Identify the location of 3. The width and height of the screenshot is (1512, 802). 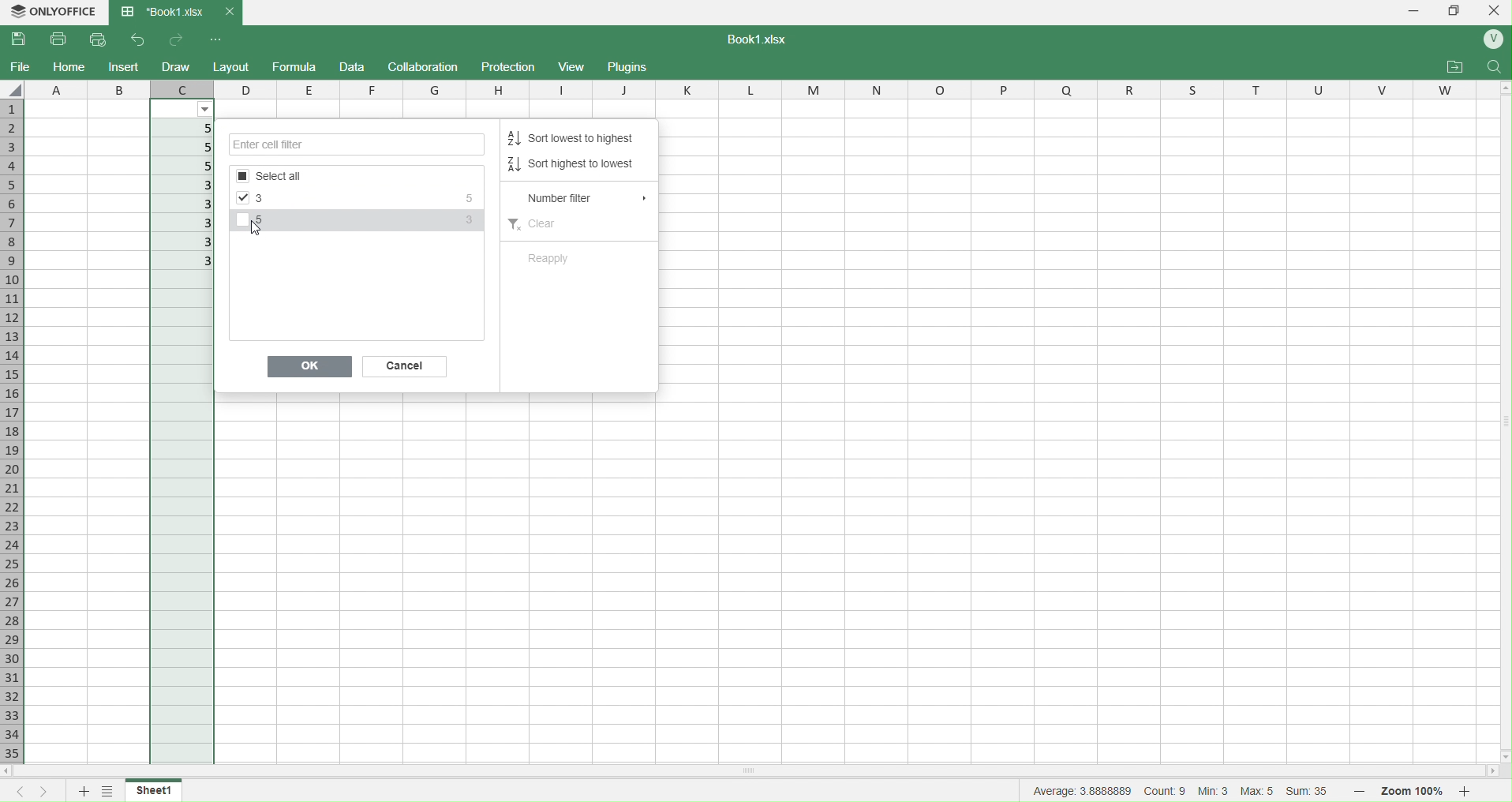
(186, 186).